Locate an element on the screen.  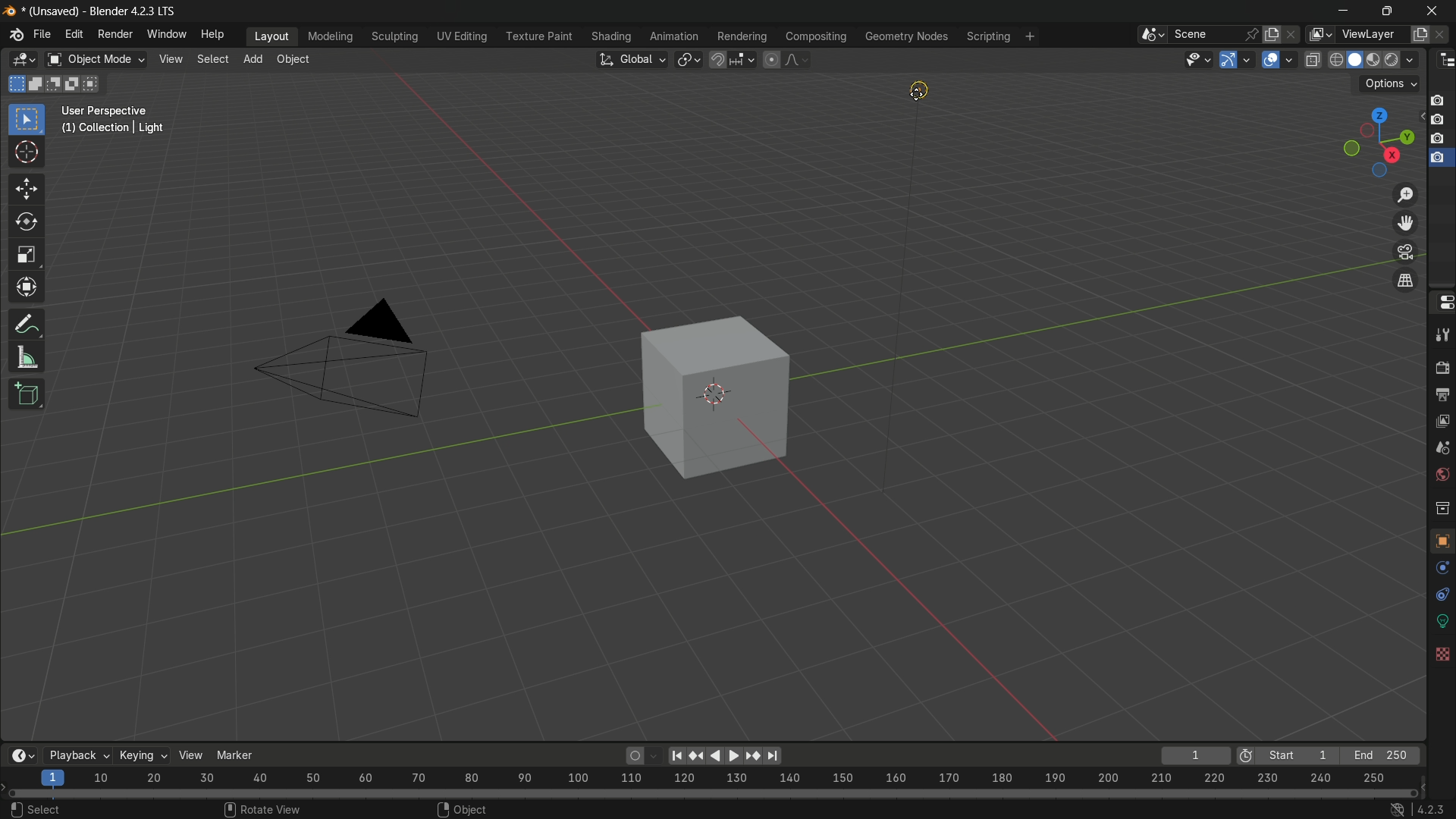
cube is located at coordinates (717, 396).